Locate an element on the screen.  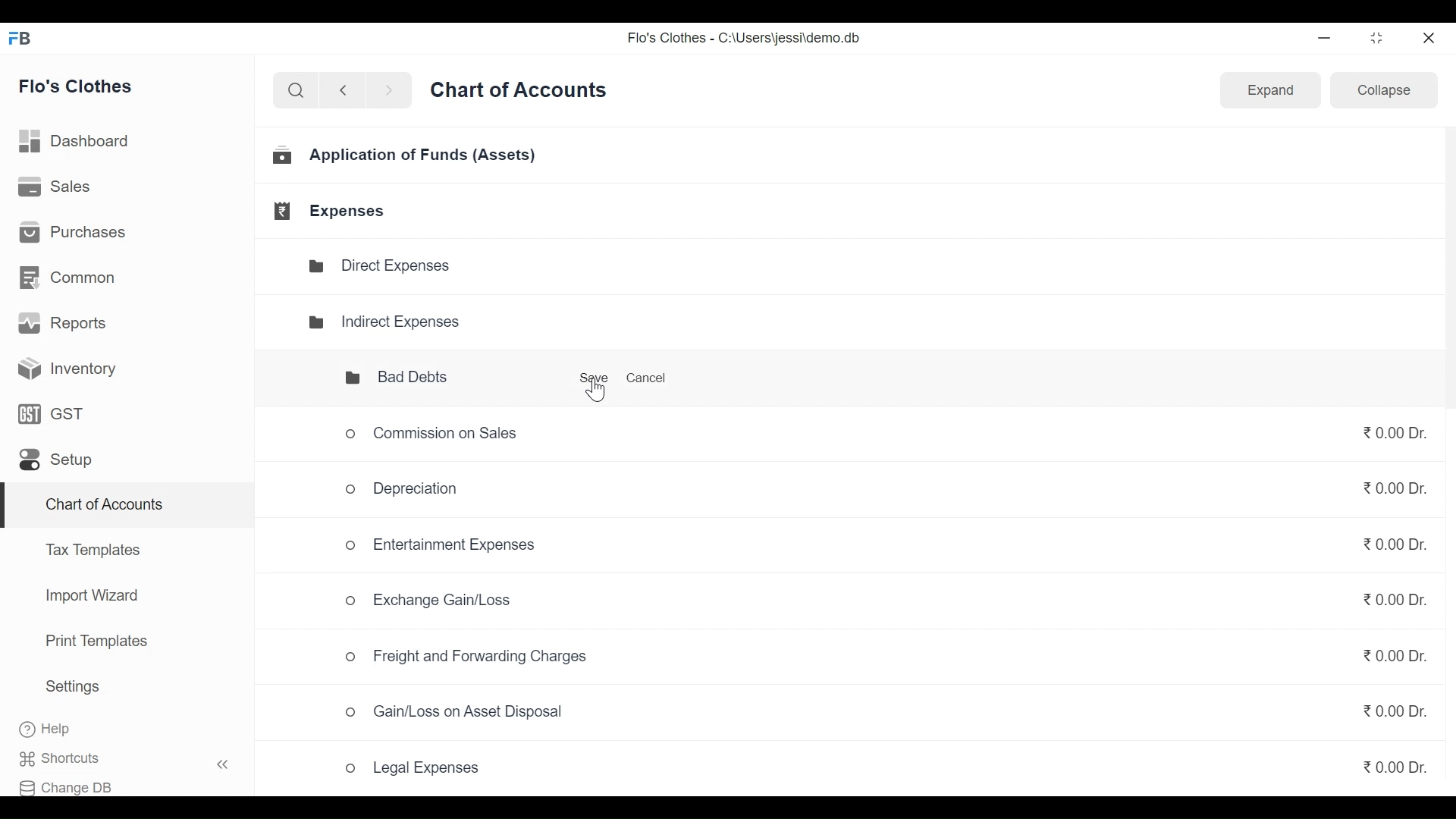
₹0.00Dr. is located at coordinates (1392, 435).